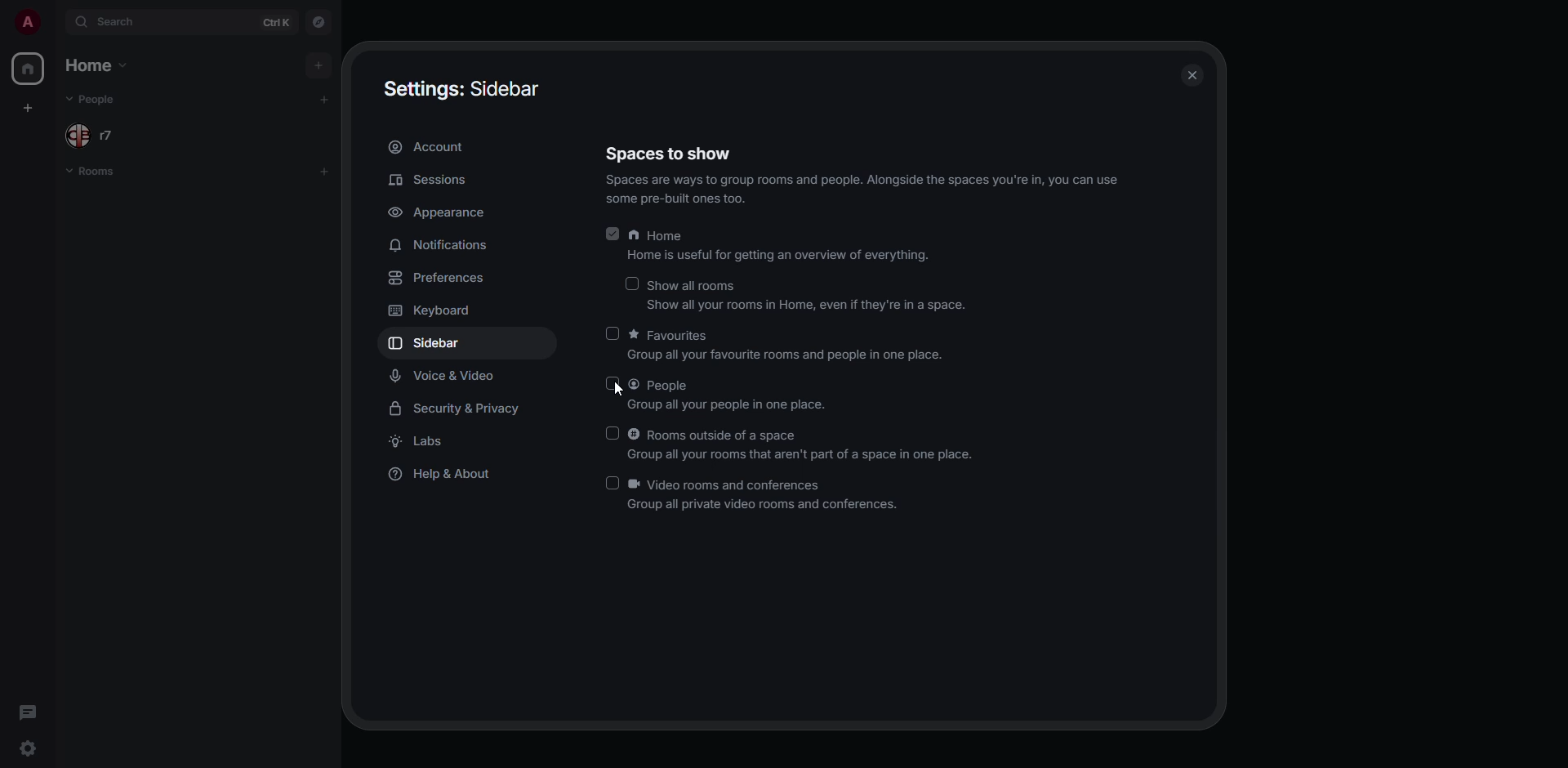 Image resolution: width=1568 pixels, height=768 pixels. I want to click on info, so click(863, 190).